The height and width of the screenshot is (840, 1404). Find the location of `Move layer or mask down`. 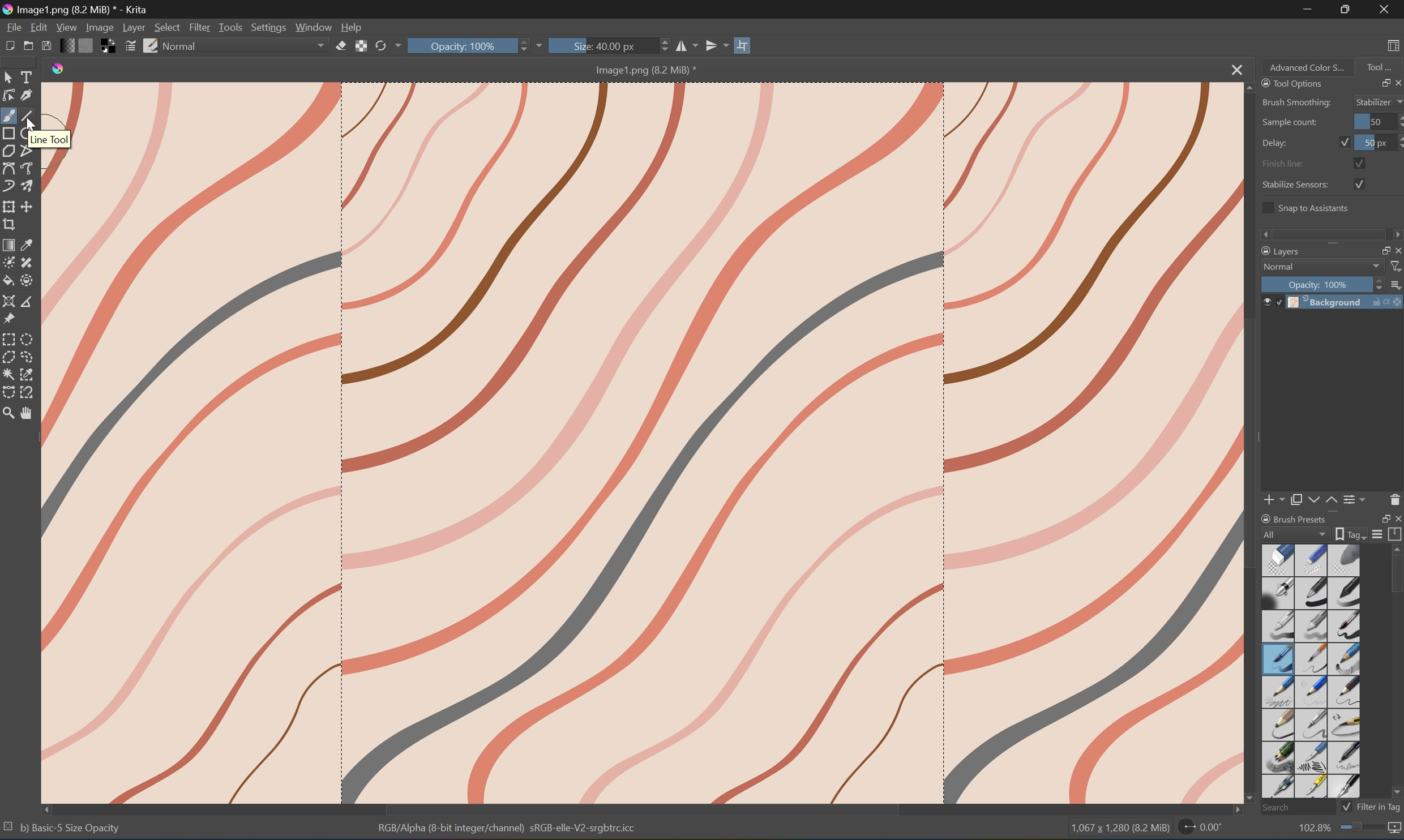

Move layer or mask down is located at coordinates (1312, 499).